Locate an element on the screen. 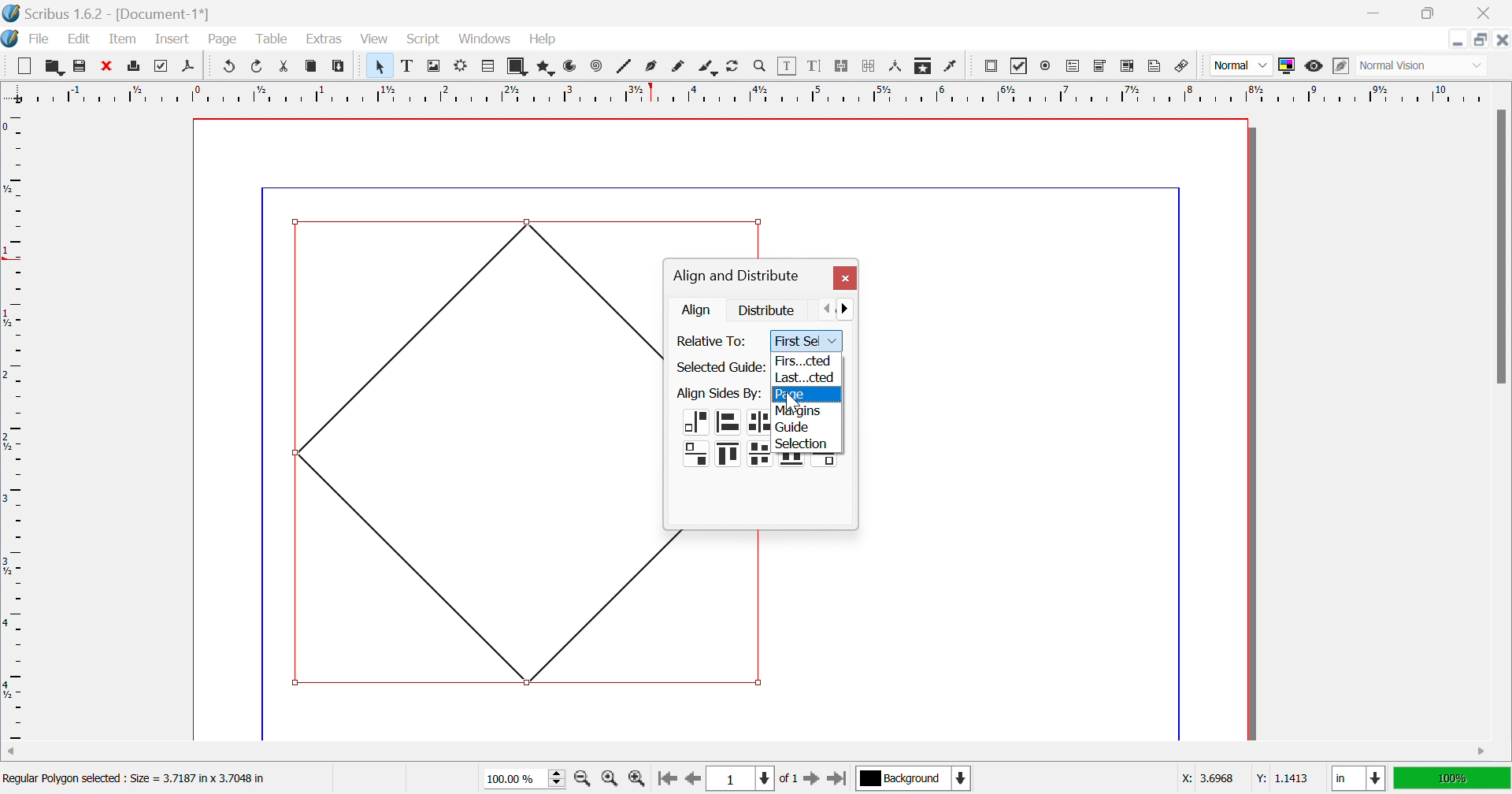  Rotate item is located at coordinates (732, 66).